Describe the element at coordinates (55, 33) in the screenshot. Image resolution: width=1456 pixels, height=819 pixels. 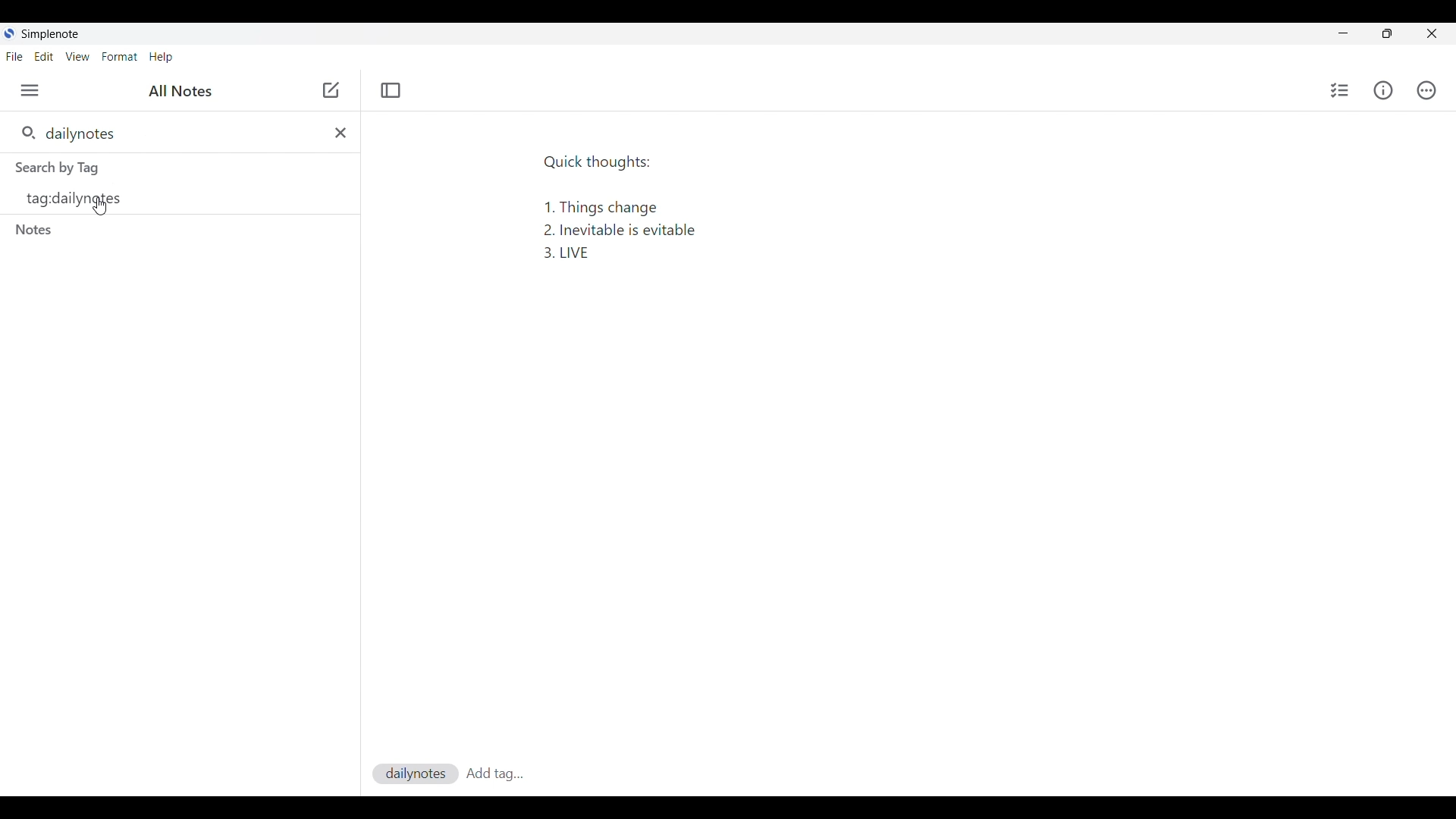
I see `Software note` at that location.